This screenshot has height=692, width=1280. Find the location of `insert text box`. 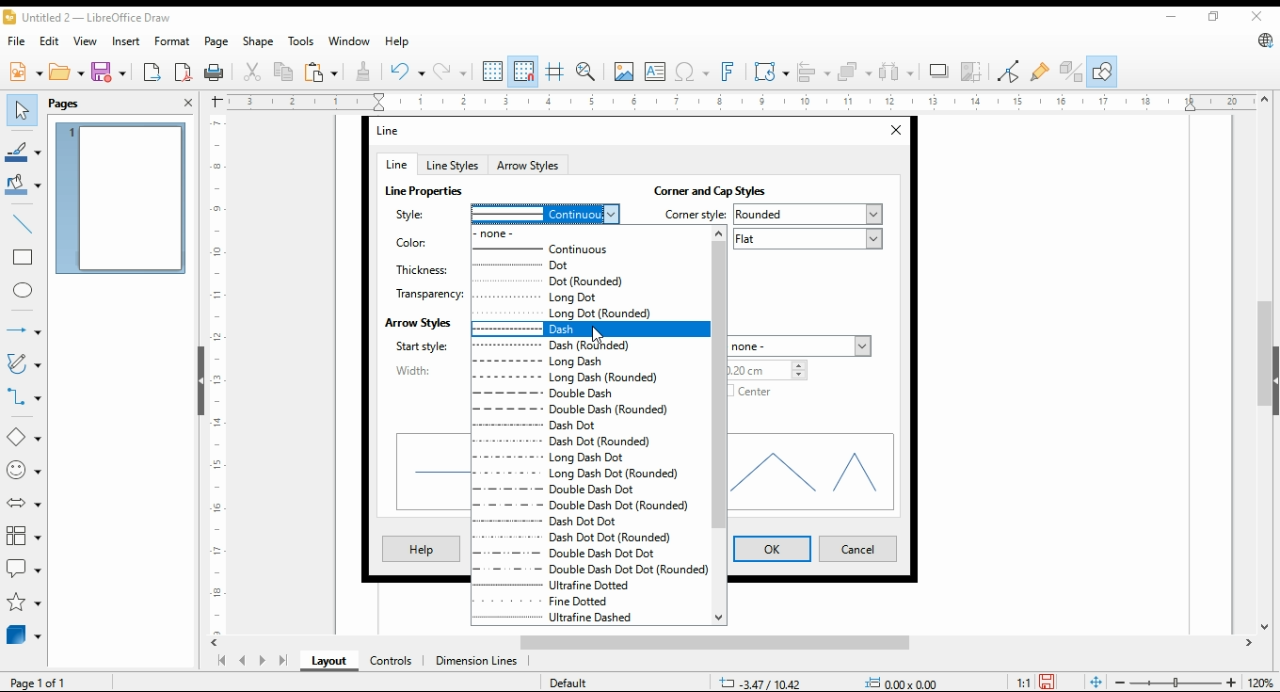

insert text box is located at coordinates (655, 71).